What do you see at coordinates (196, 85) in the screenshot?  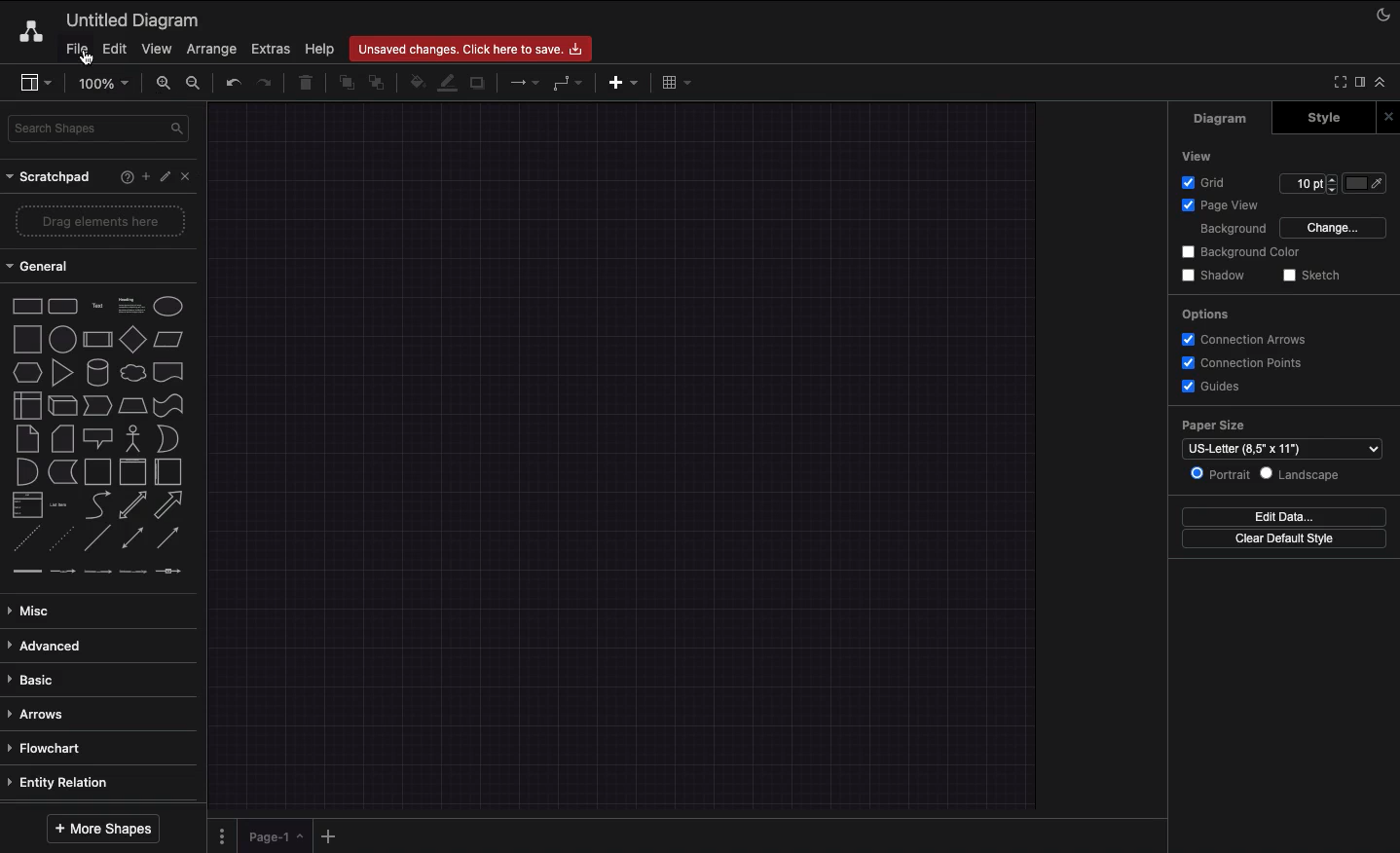 I see `Zoom out` at bounding box center [196, 85].